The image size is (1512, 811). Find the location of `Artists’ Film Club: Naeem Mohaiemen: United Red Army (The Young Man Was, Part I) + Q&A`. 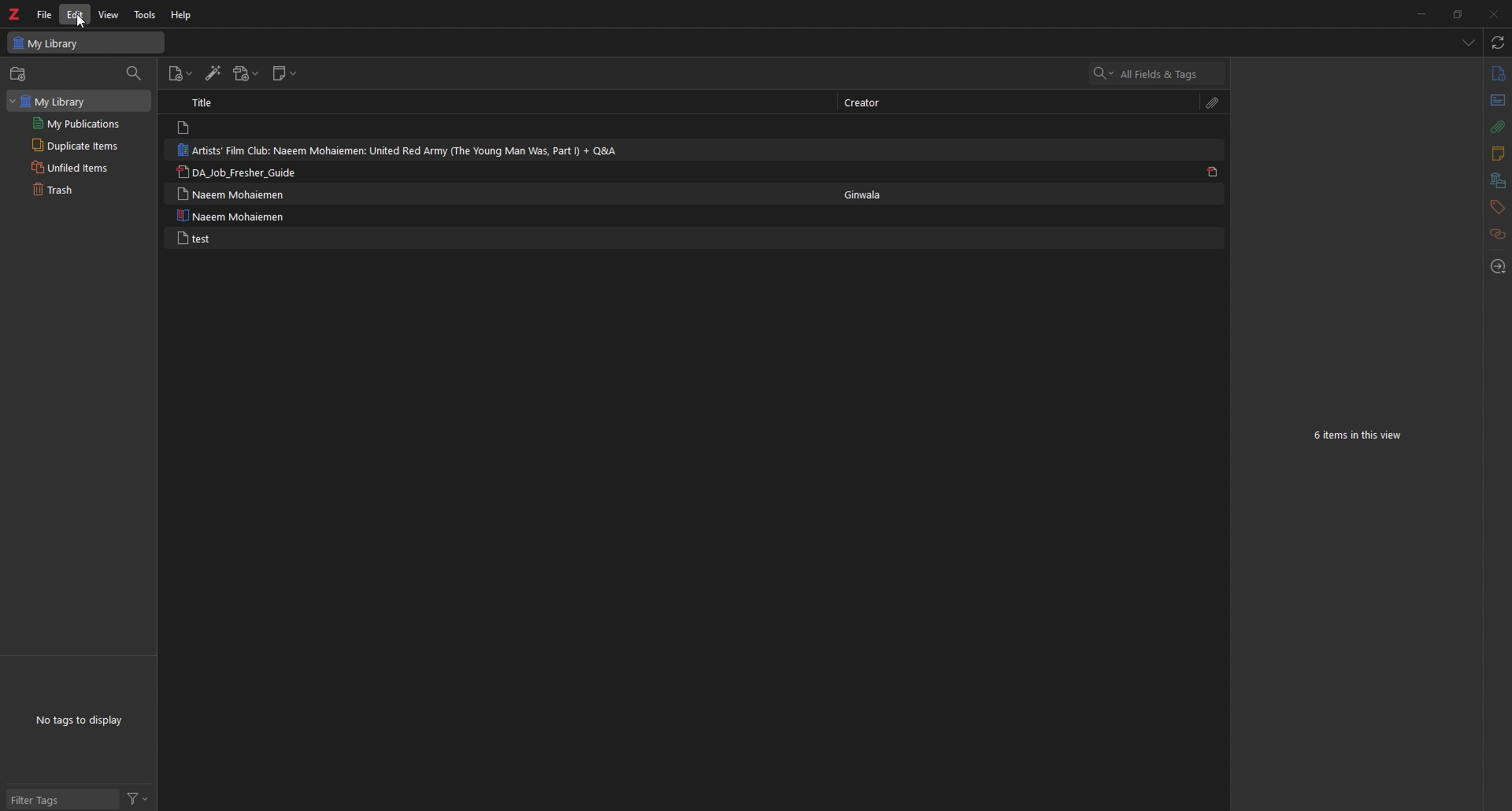

Artists’ Film Club: Naeem Mohaiemen: United Red Army (The Young Man Was, Part I) + Q&A is located at coordinates (406, 150).